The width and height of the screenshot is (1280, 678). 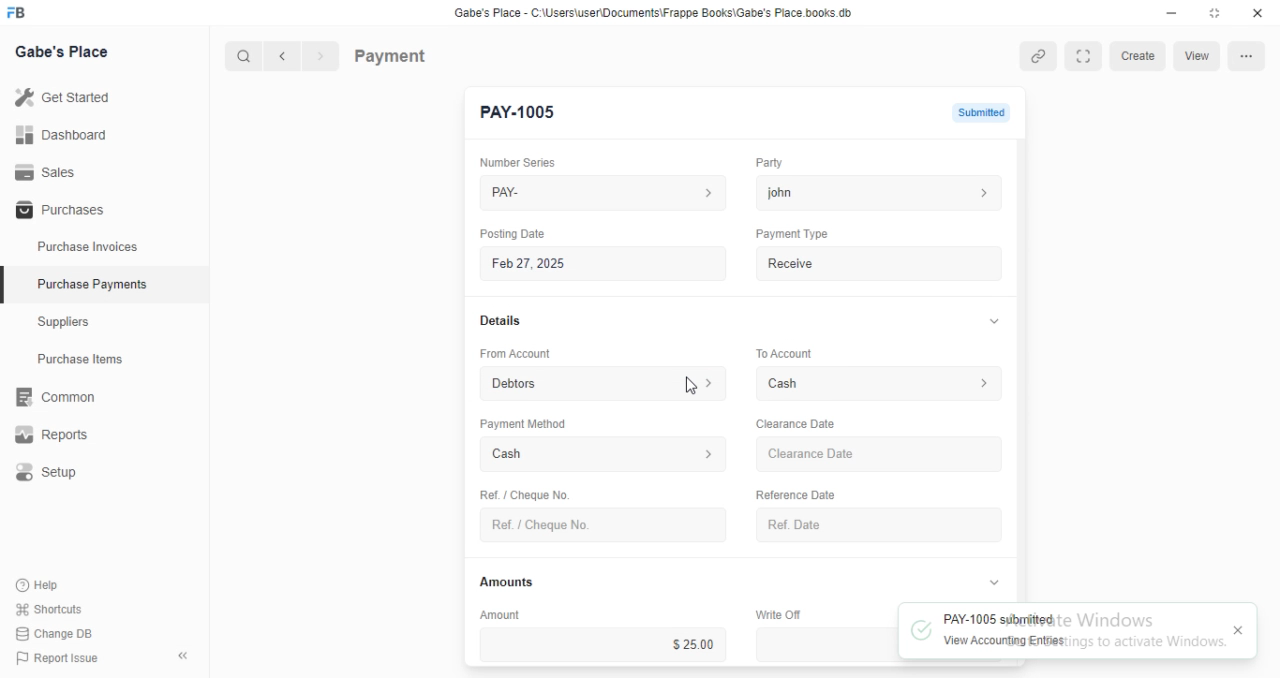 What do you see at coordinates (62, 96) in the screenshot?
I see `Get Started` at bounding box center [62, 96].